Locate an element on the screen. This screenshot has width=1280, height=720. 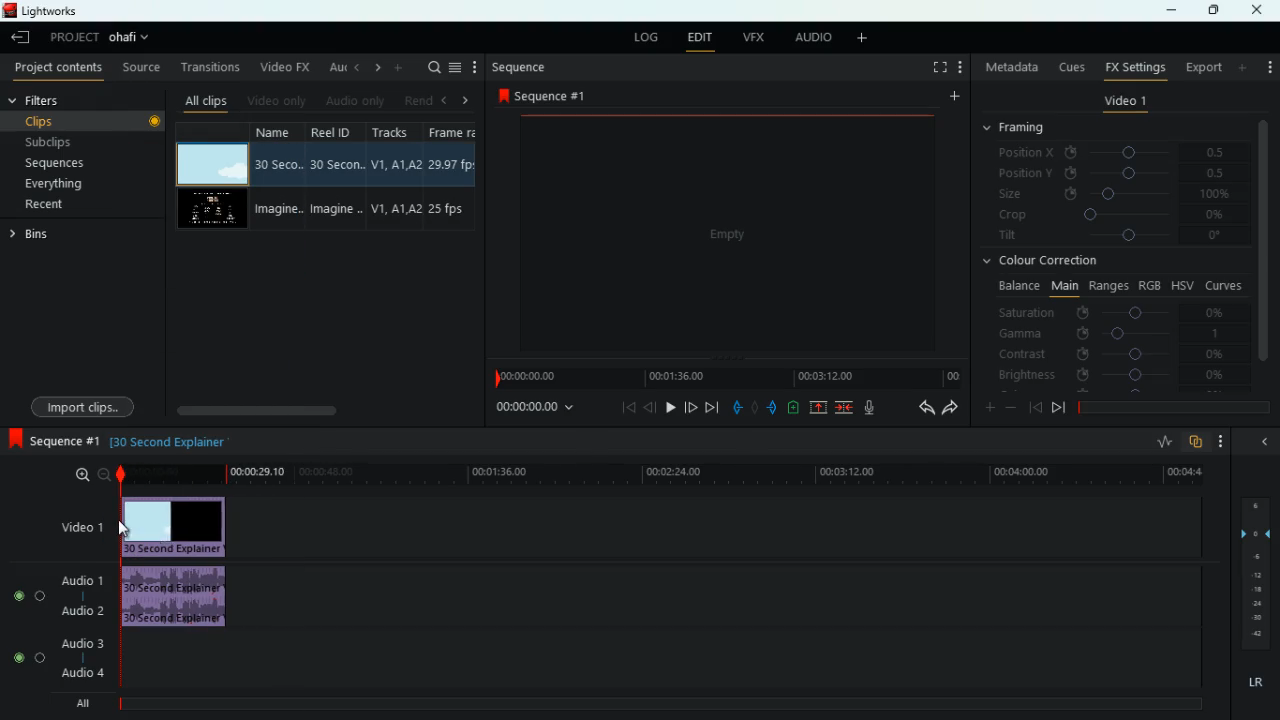
minimize is located at coordinates (1264, 440).